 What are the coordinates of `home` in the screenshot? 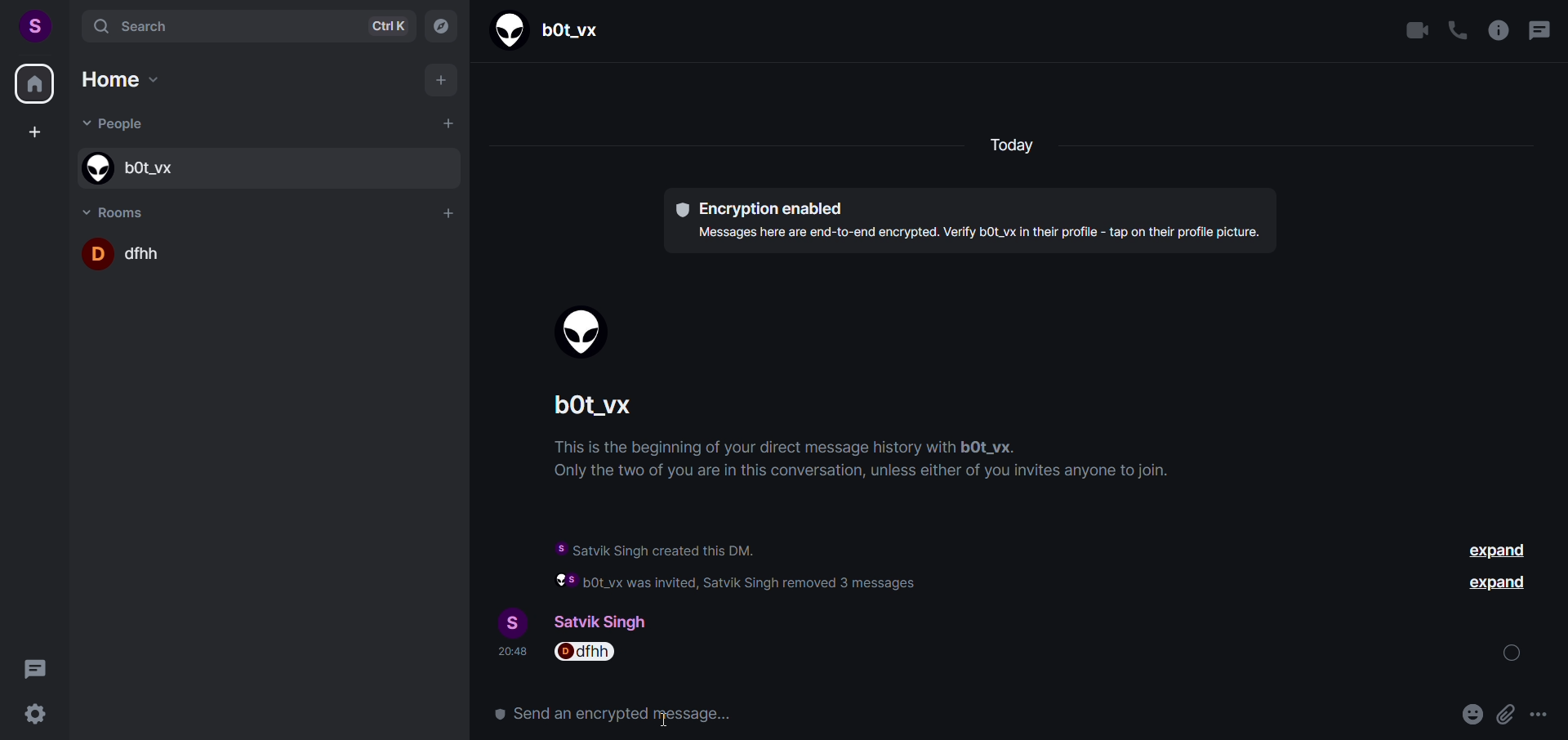 It's located at (34, 87).